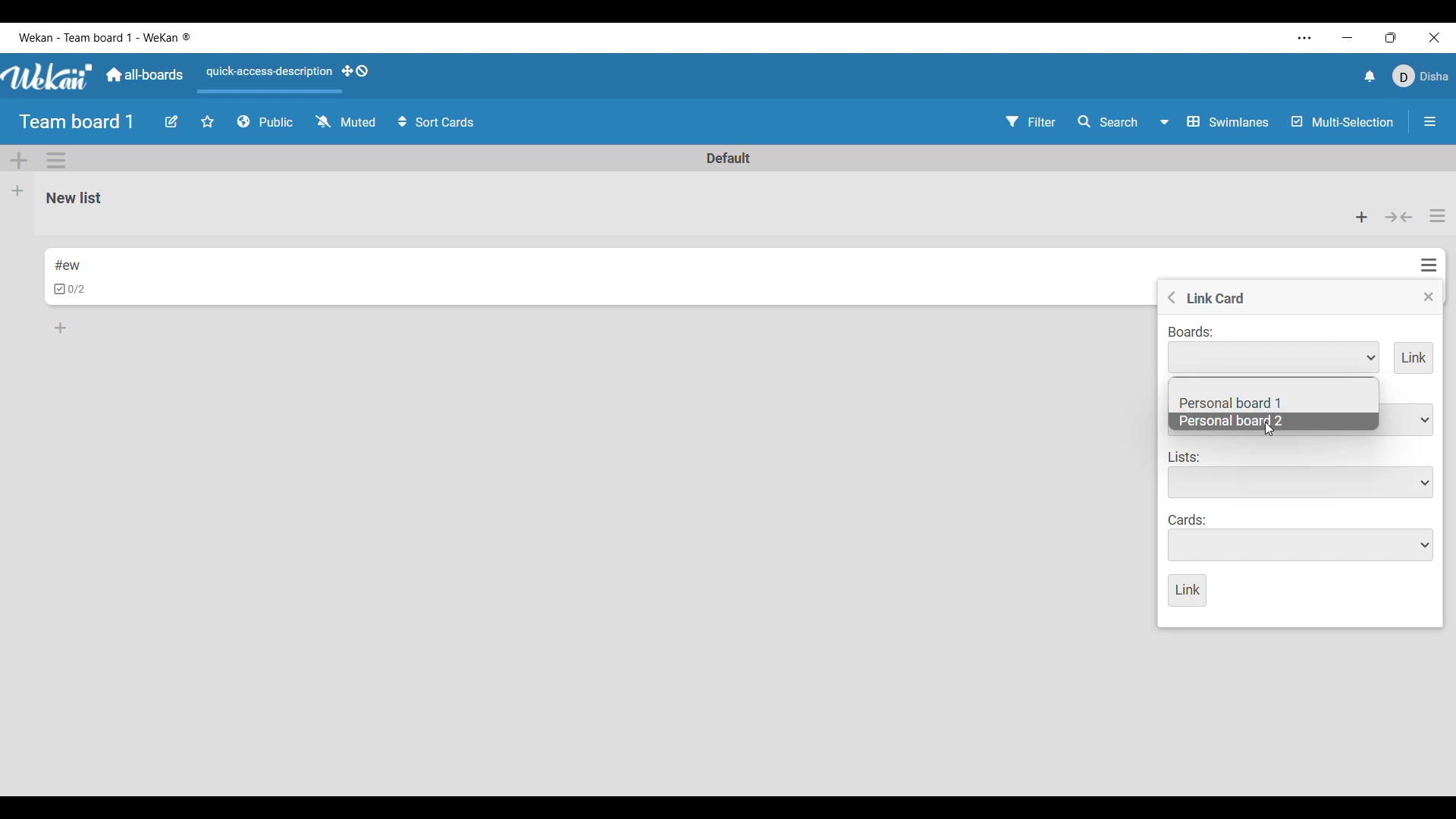  I want to click on Close menu, so click(1429, 297).